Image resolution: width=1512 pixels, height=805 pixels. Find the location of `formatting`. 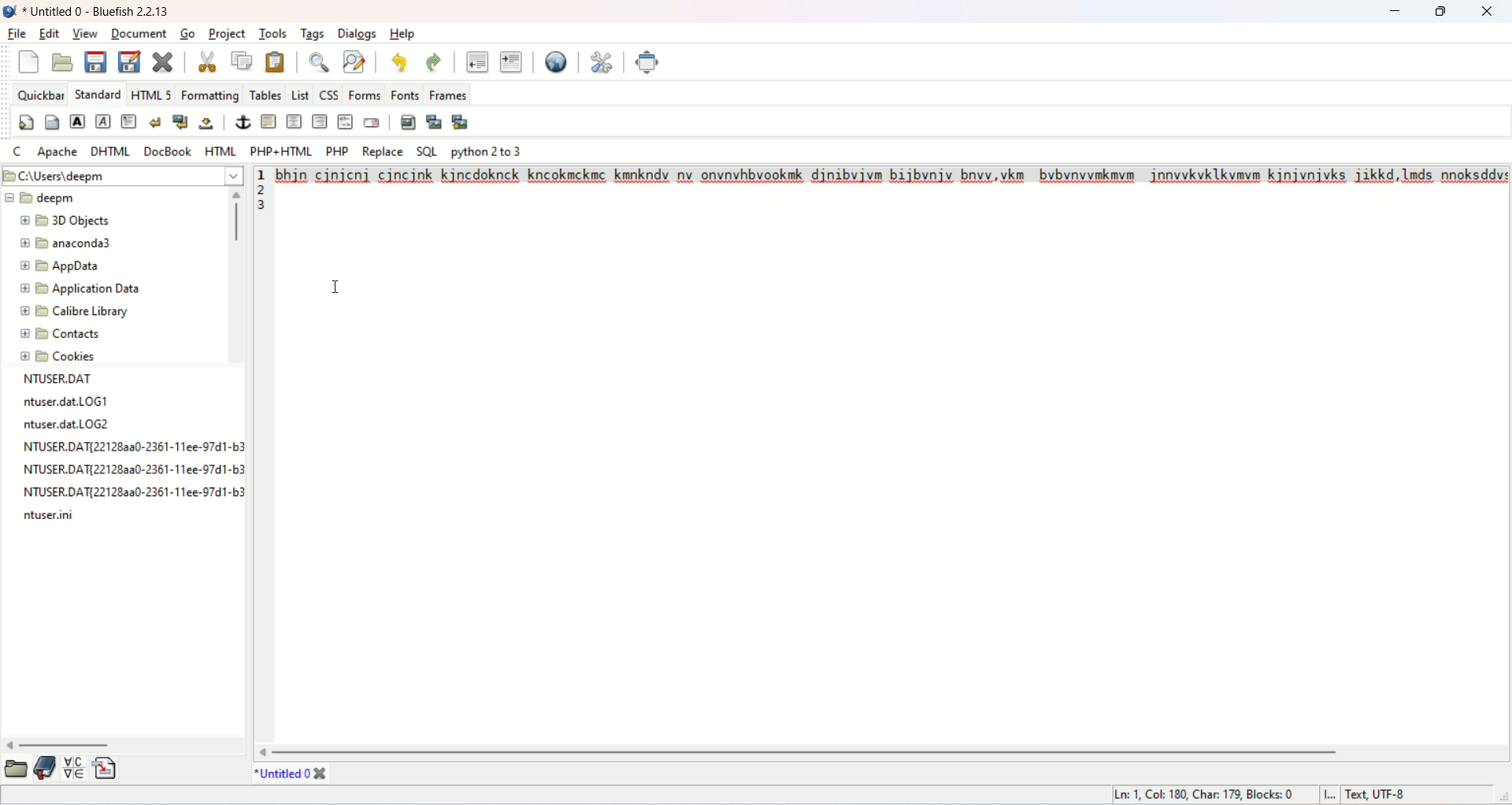

formatting is located at coordinates (211, 95).